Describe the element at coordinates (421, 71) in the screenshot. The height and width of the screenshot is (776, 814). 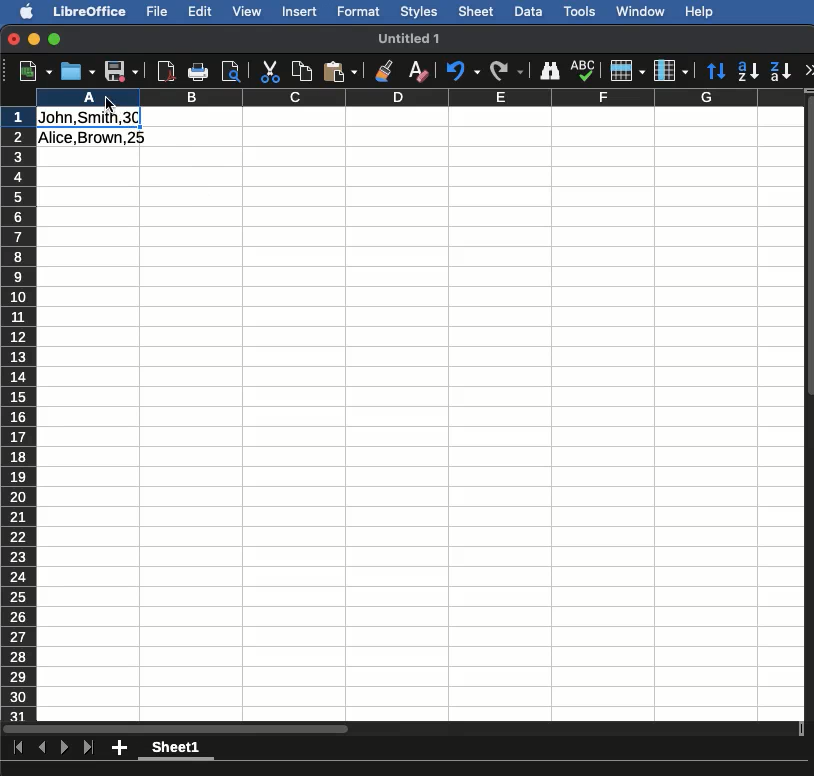
I see `Clear formatting` at that location.